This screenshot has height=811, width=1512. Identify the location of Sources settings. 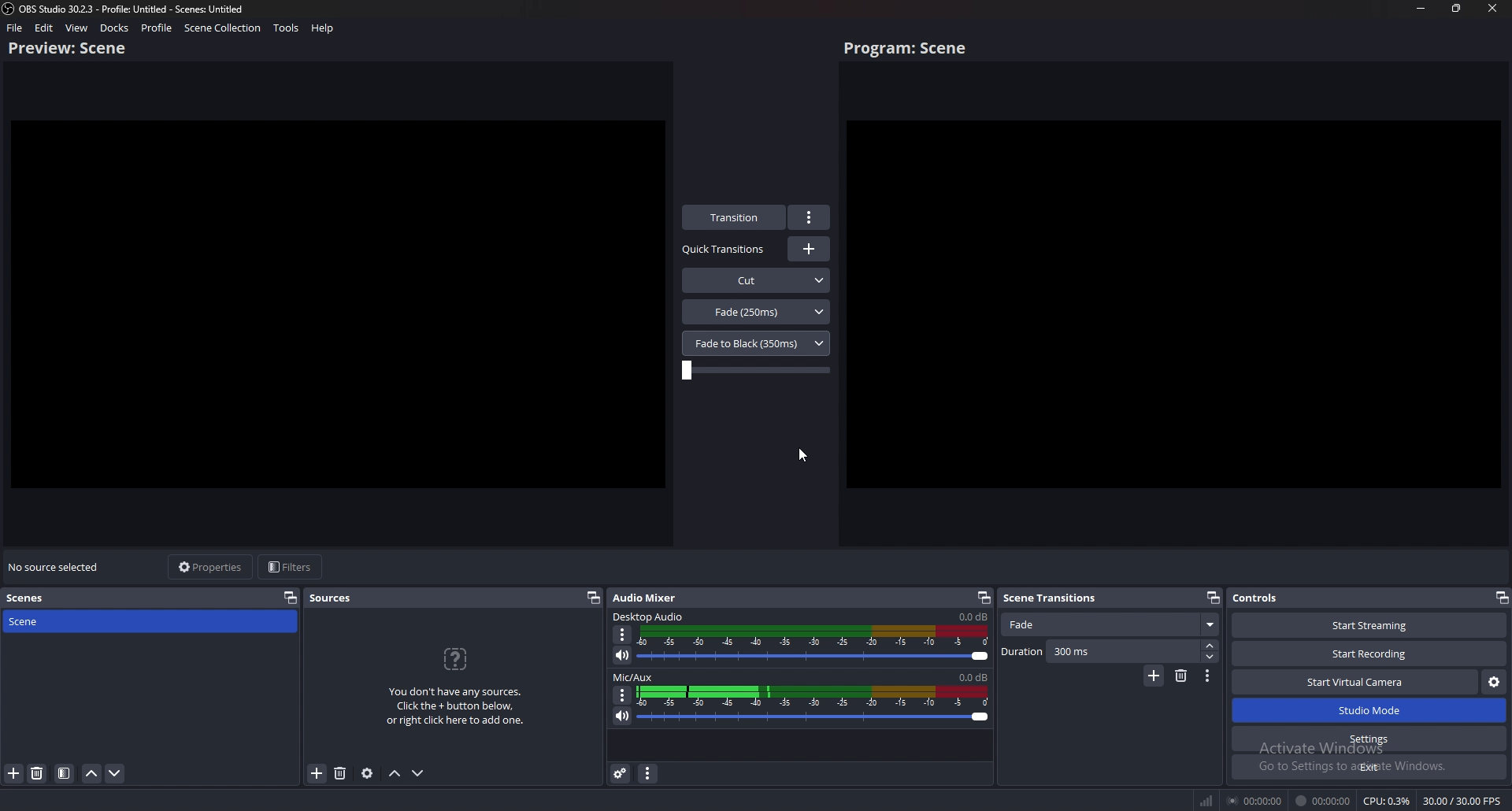
(368, 773).